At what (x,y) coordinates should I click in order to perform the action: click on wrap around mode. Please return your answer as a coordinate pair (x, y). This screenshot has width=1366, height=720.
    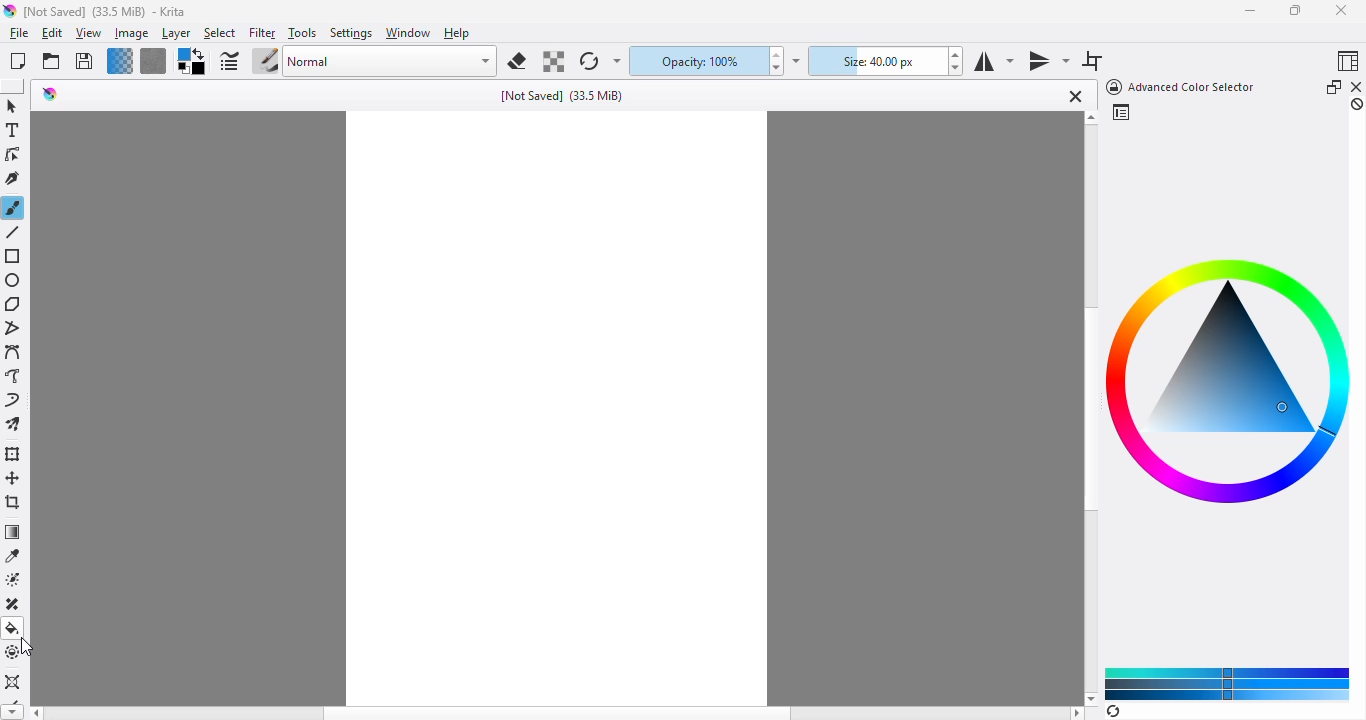
    Looking at the image, I should click on (1092, 61).